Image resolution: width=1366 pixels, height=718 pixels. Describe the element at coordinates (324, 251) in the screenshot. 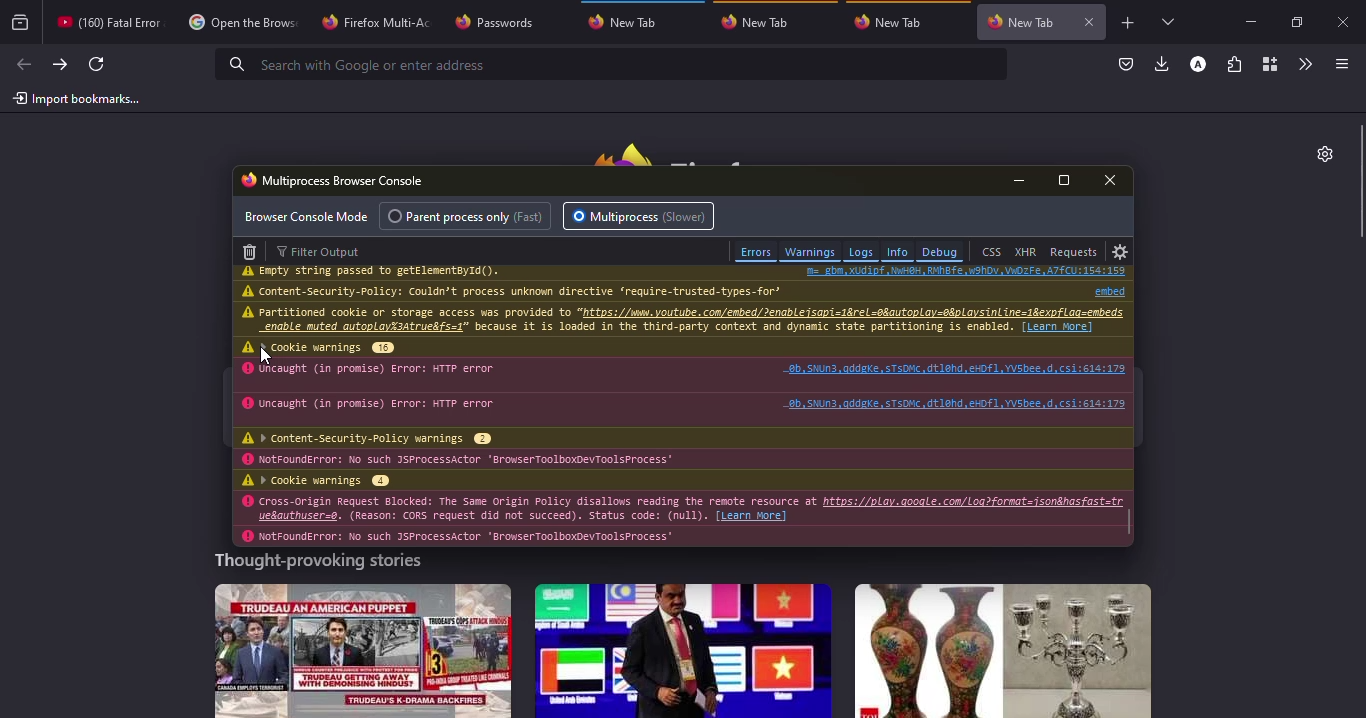

I see `filter output` at that location.